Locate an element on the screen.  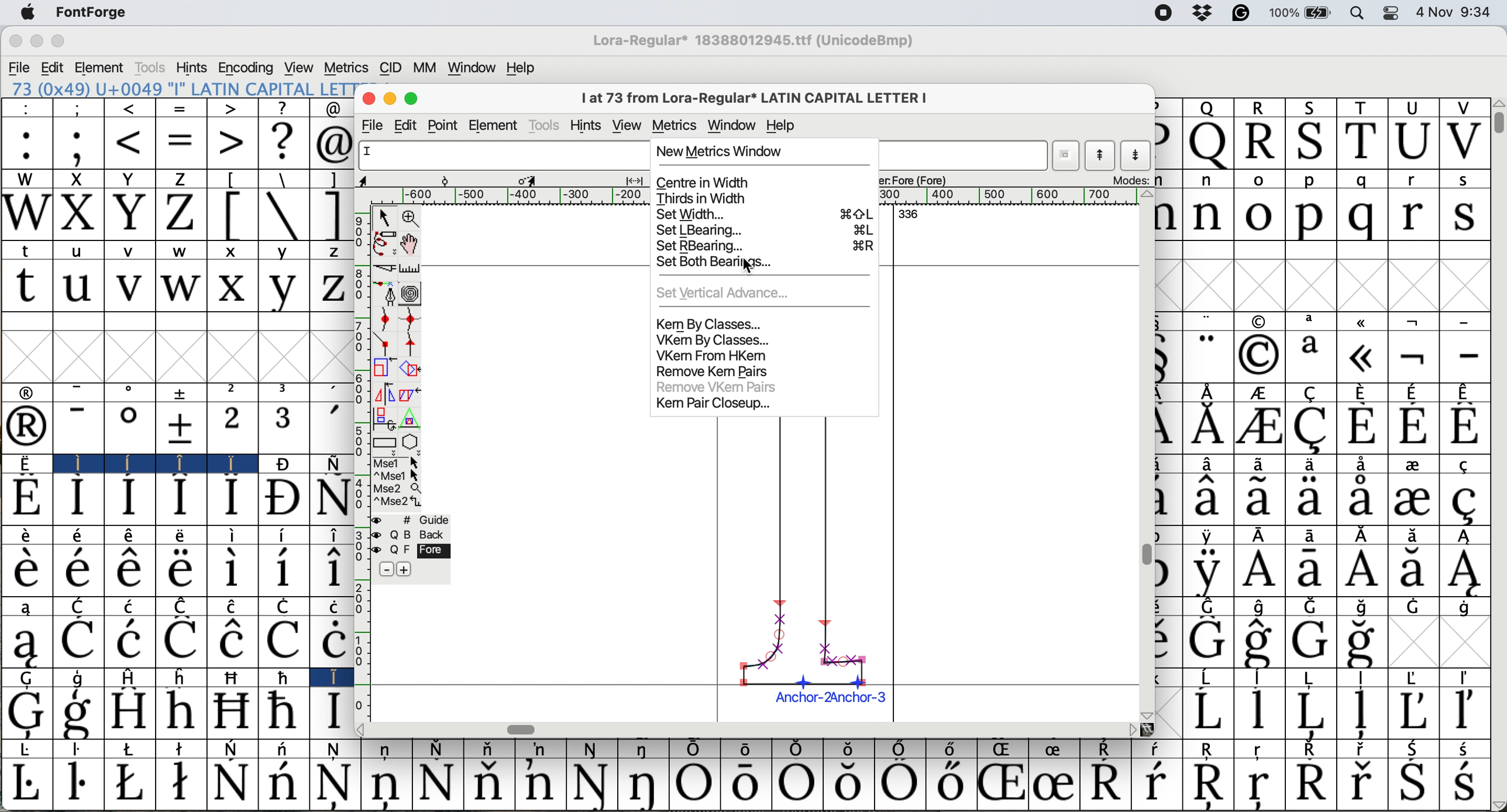
Symbol is located at coordinates (1260, 428).